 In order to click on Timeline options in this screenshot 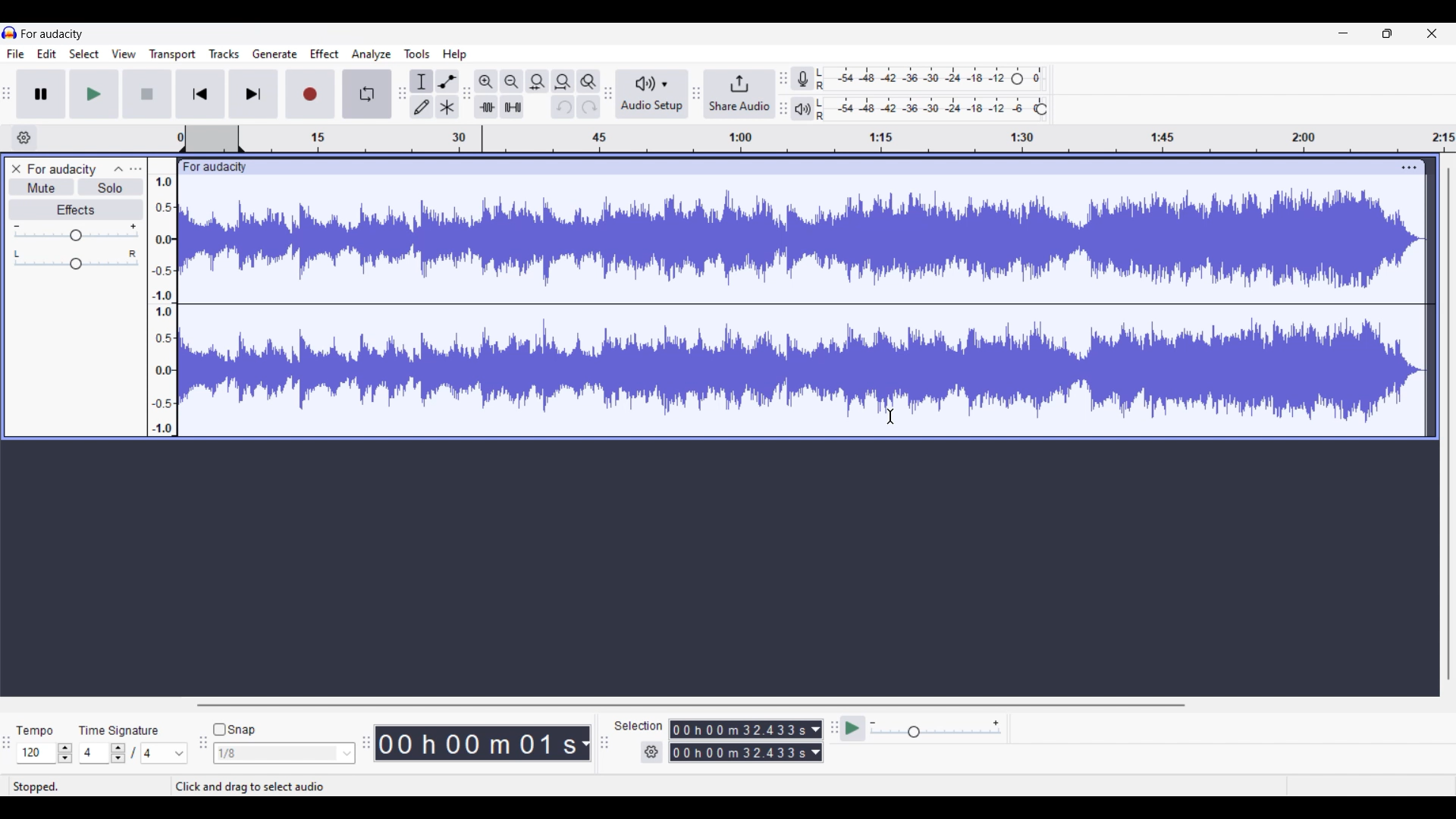, I will do `click(24, 138)`.